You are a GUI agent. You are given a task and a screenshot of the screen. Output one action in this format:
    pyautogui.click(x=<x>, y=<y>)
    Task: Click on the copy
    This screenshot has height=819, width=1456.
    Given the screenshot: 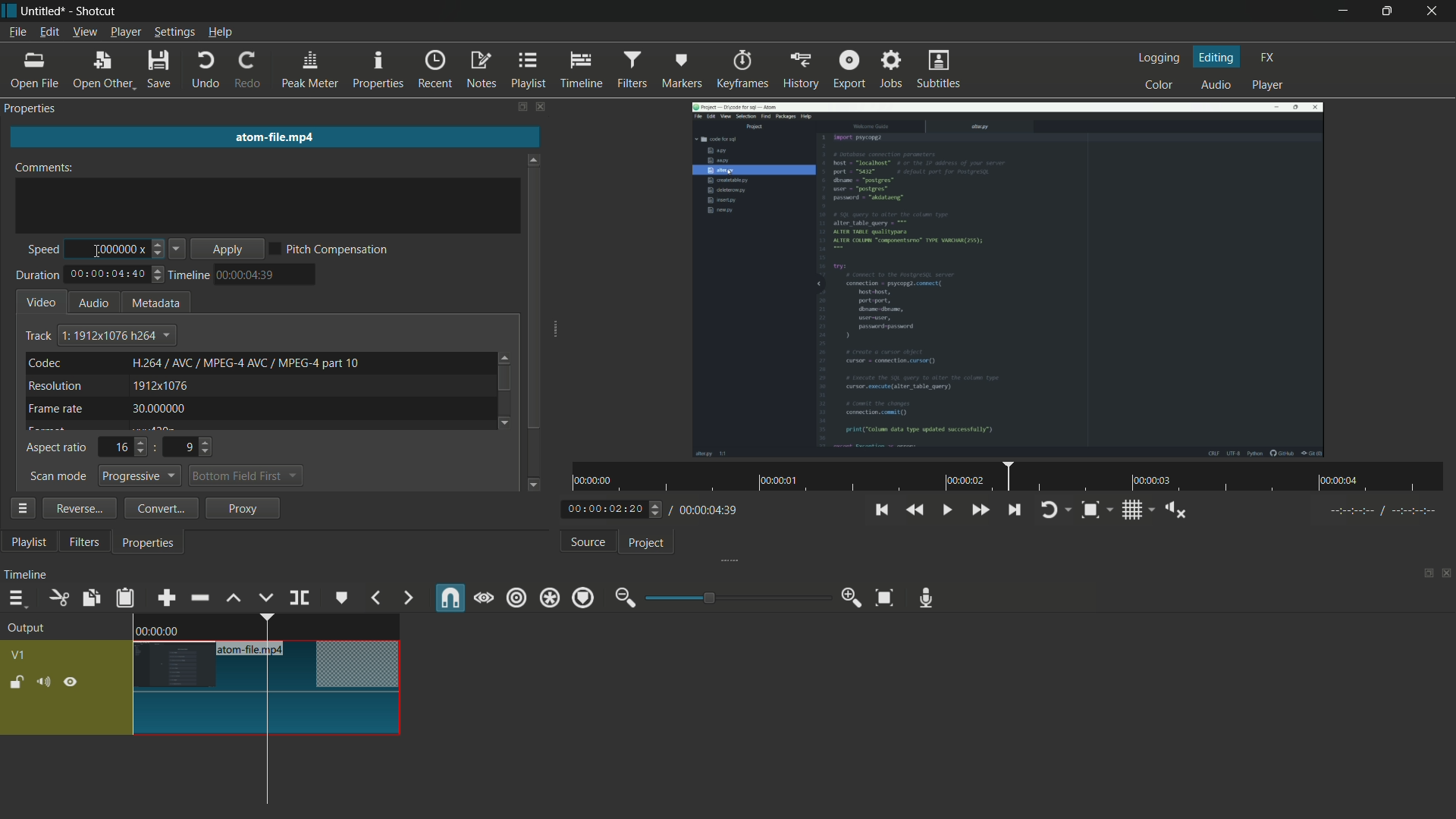 What is the action you would take?
    pyautogui.click(x=89, y=598)
    